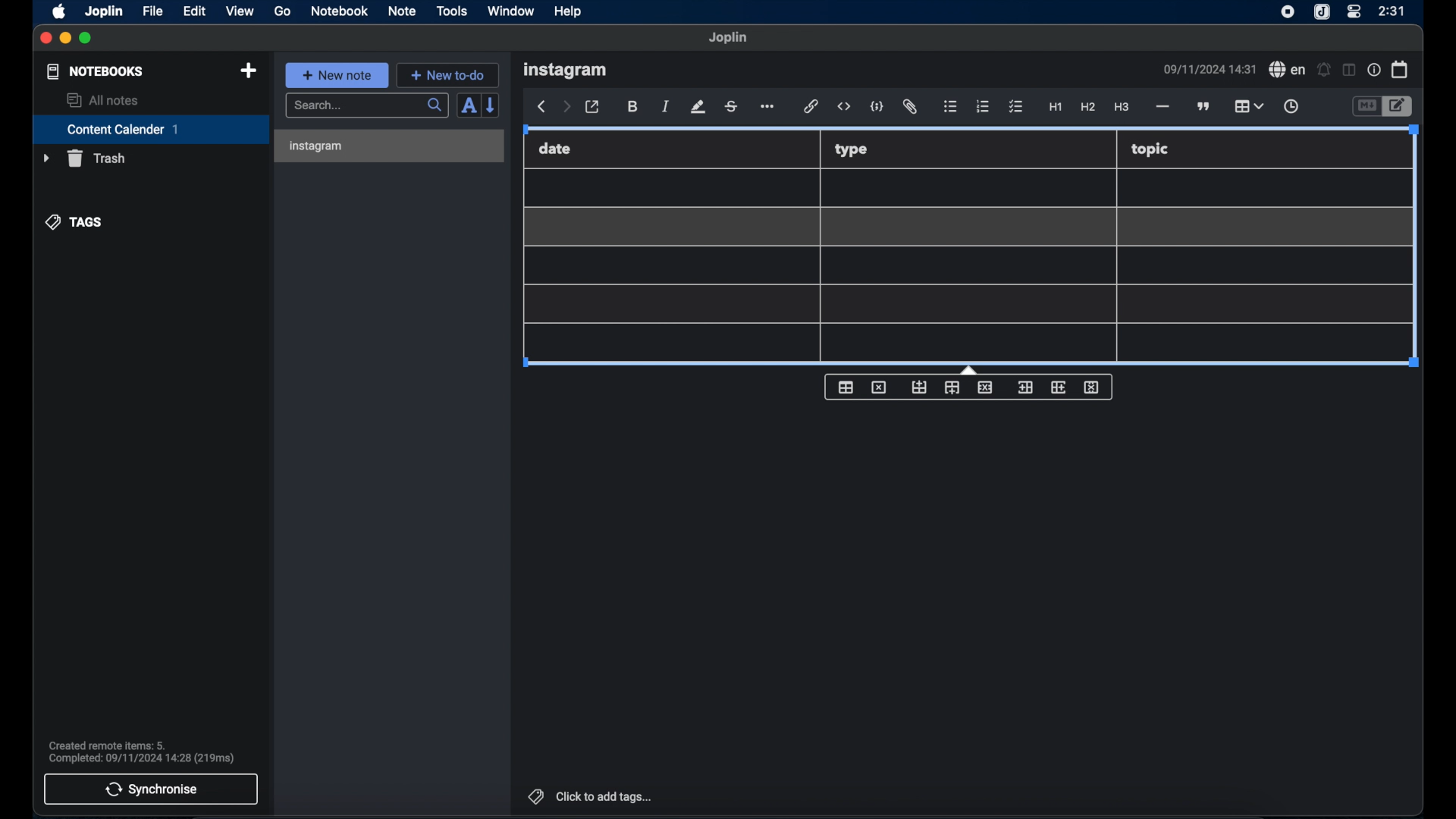  I want to click on control center, so click(1354, 12).